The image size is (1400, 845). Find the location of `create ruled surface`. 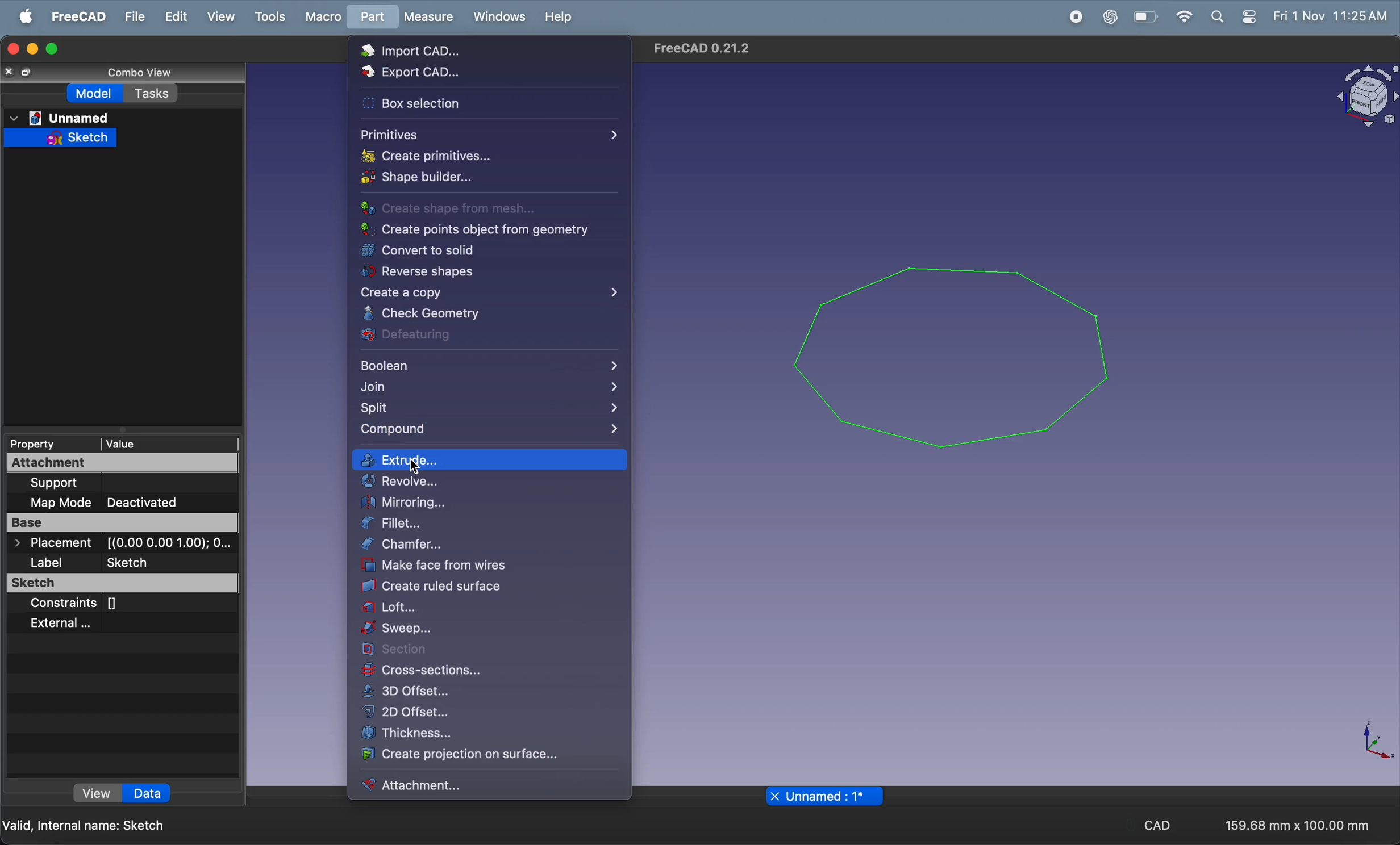

create ruled surface is located at coordinates (449, 587).